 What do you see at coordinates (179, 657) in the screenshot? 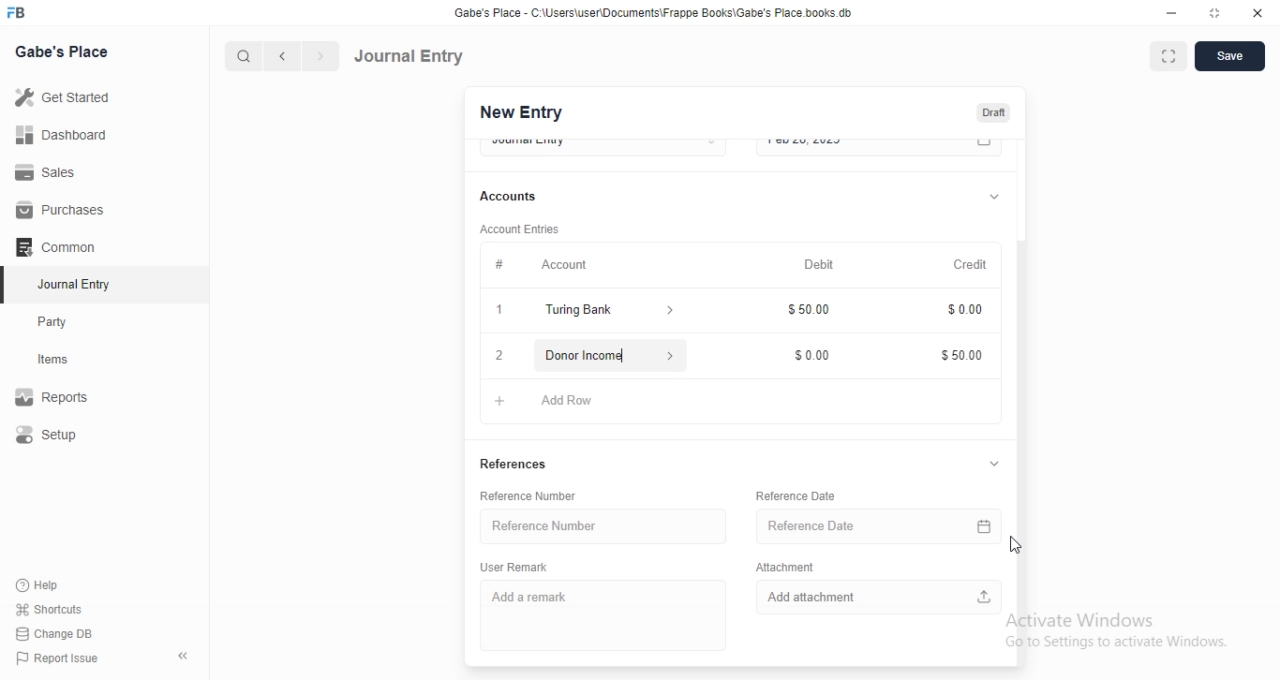
I see `hide` at bounding box center [179, 657].